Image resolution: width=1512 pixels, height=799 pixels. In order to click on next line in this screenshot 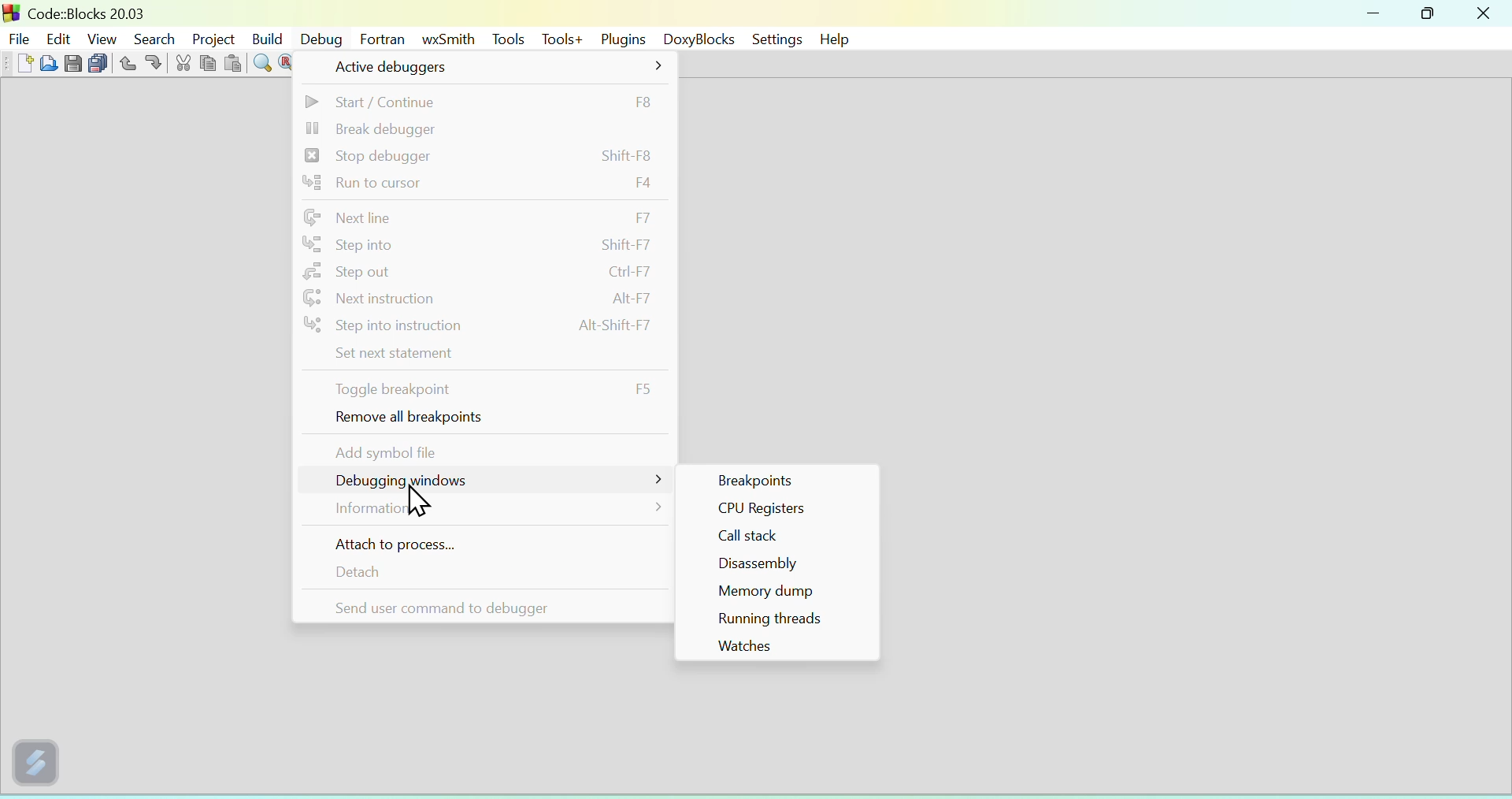, I will do `click(485, 217)`.